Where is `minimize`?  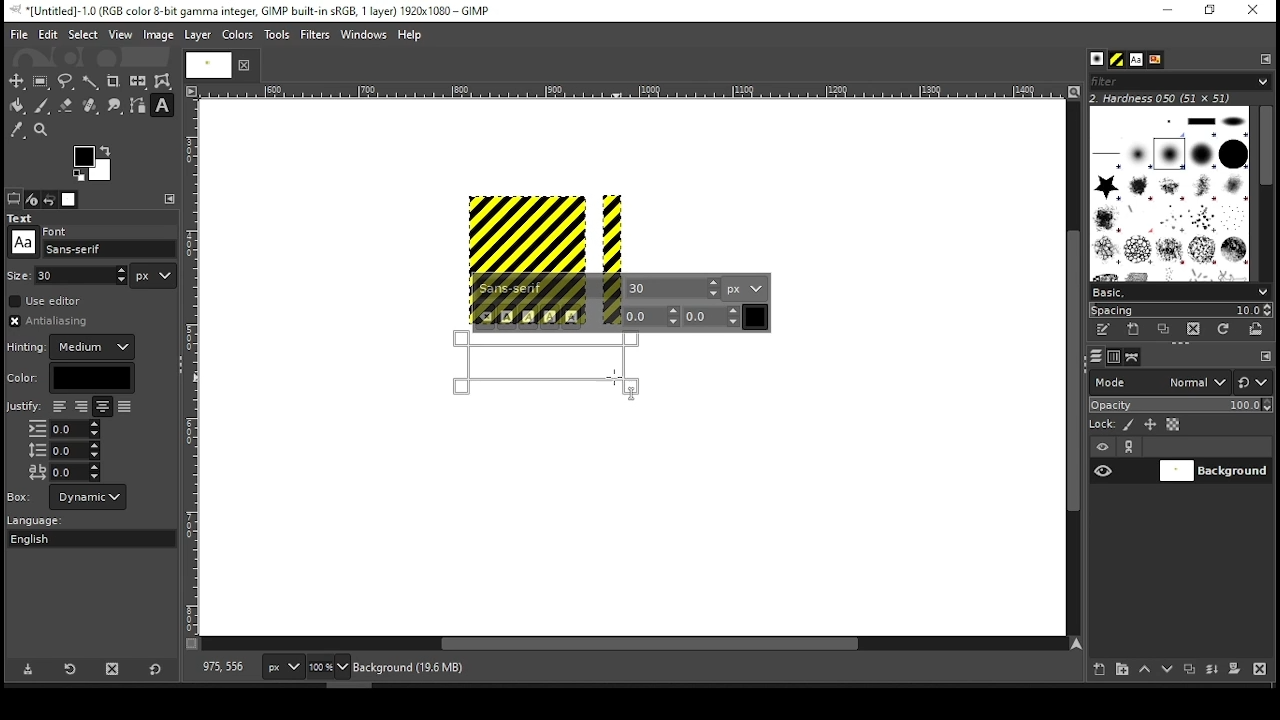
minimize is located at coordinates (1166, 11).